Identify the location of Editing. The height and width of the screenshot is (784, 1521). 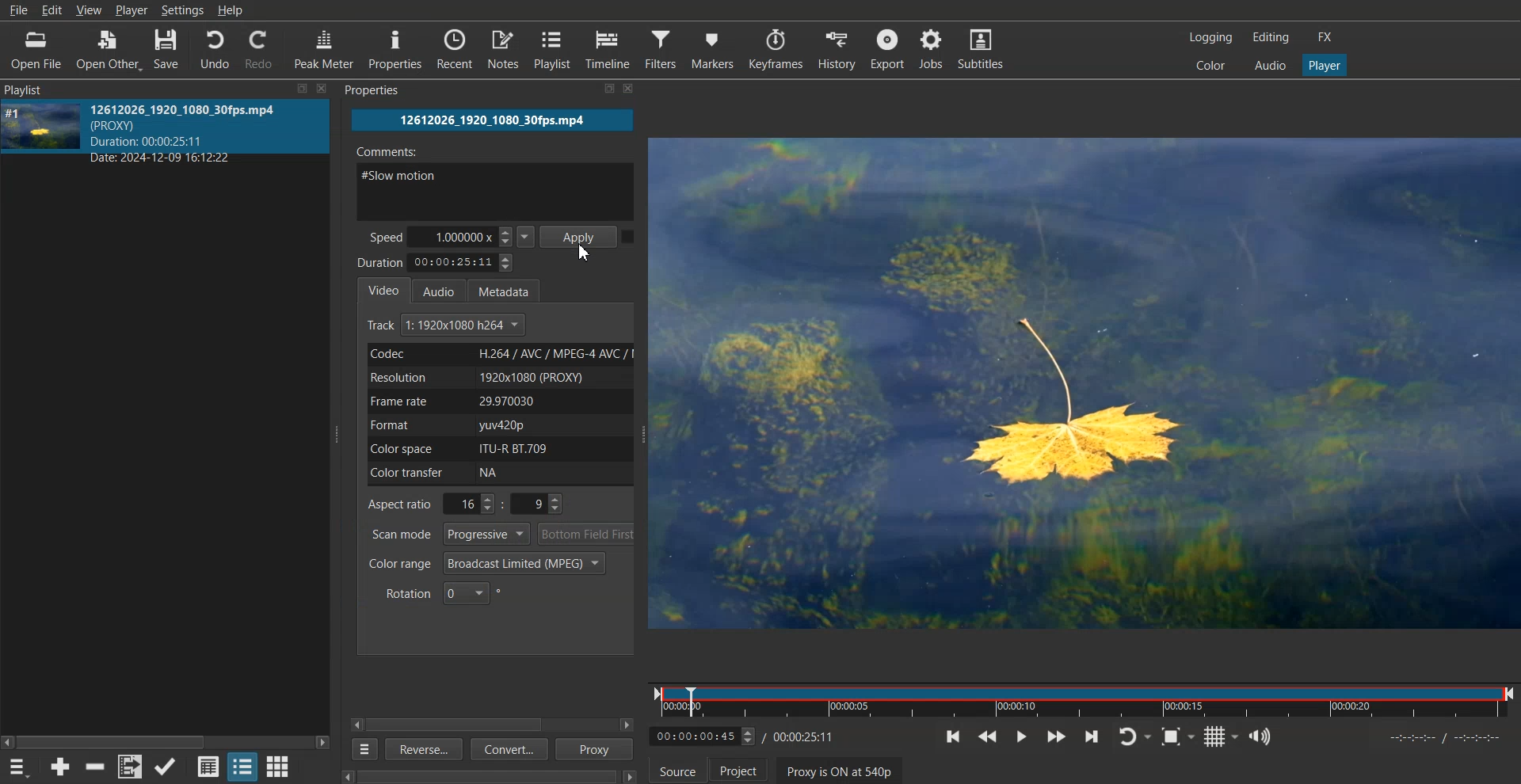
(1270, 38).